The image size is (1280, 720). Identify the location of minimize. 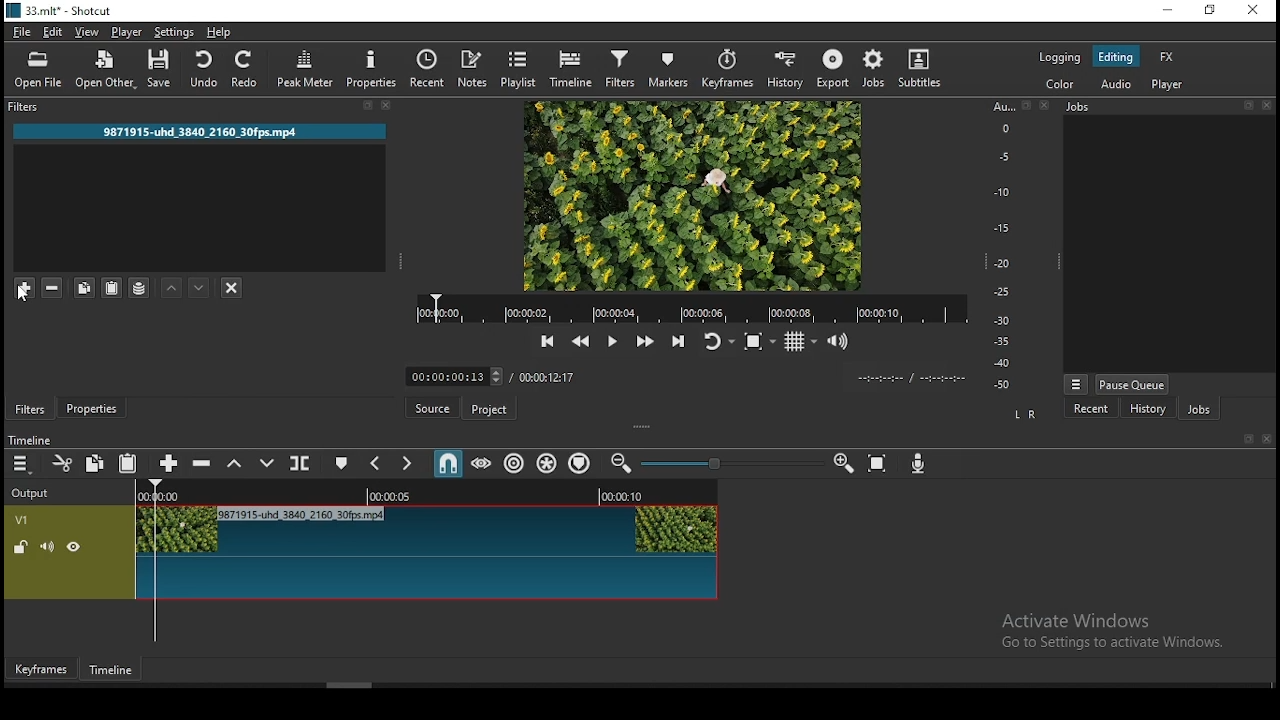
(1171, 11).